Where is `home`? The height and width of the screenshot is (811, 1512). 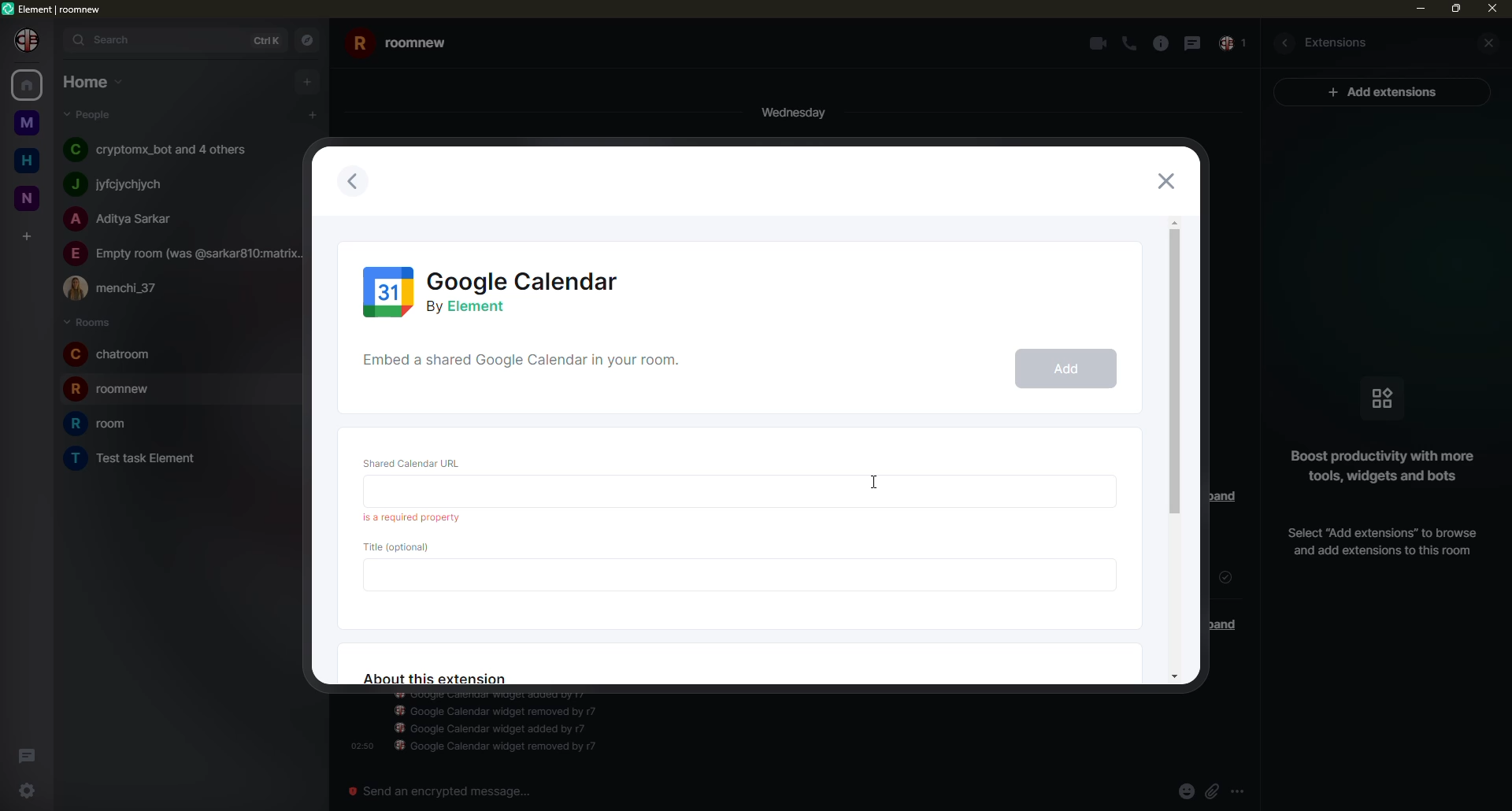
home is located at coordinates (27, 85).